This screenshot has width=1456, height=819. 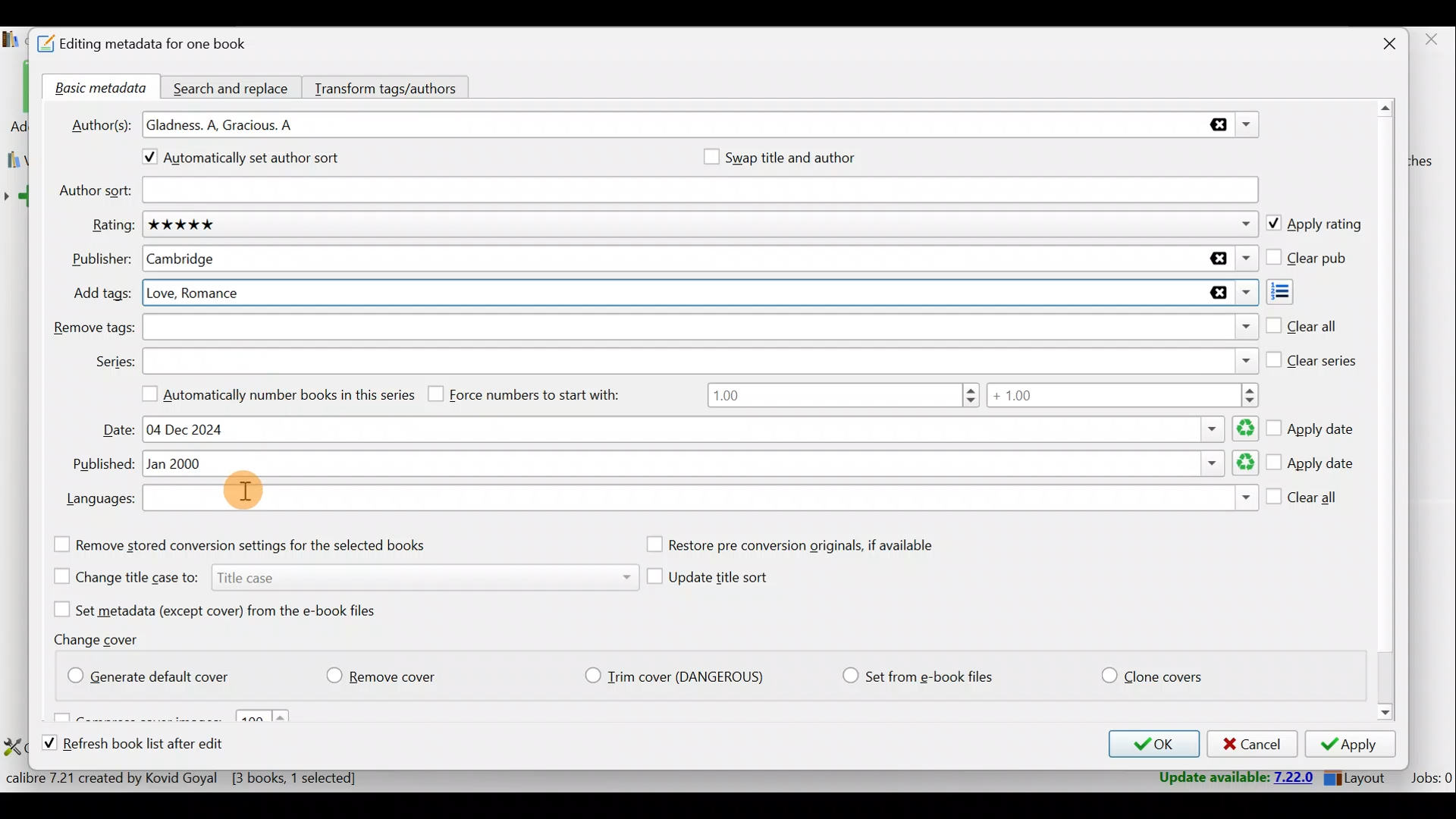 What do you see at coordinates (808, 157) in the screenshot?
I see `Swap title and author` at bounding box center [808, 157].